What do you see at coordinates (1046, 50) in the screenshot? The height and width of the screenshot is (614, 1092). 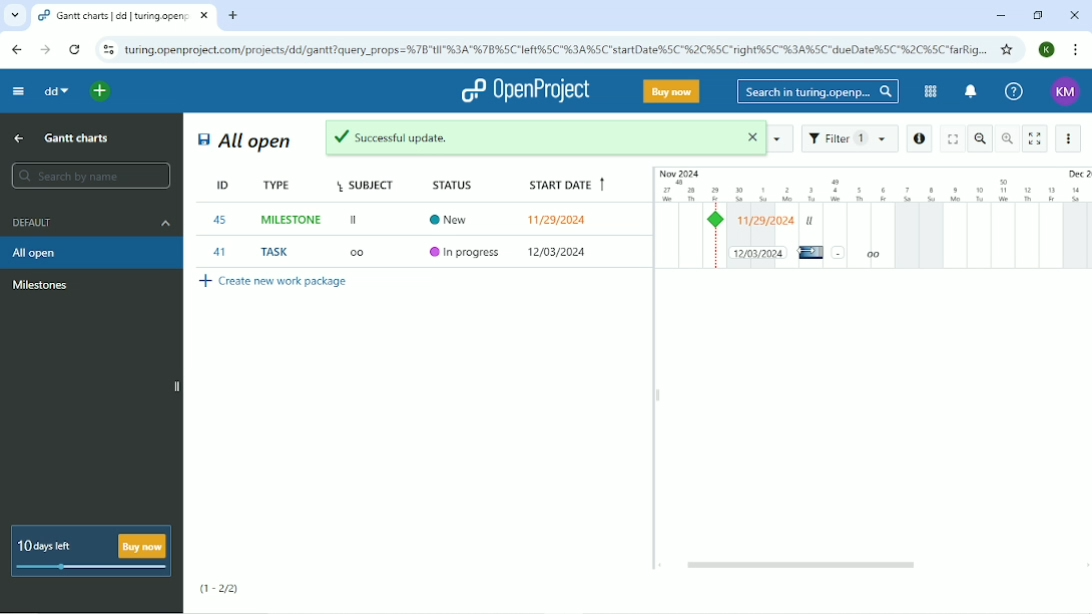 I see `Account` at bounding box center [1046, 50].